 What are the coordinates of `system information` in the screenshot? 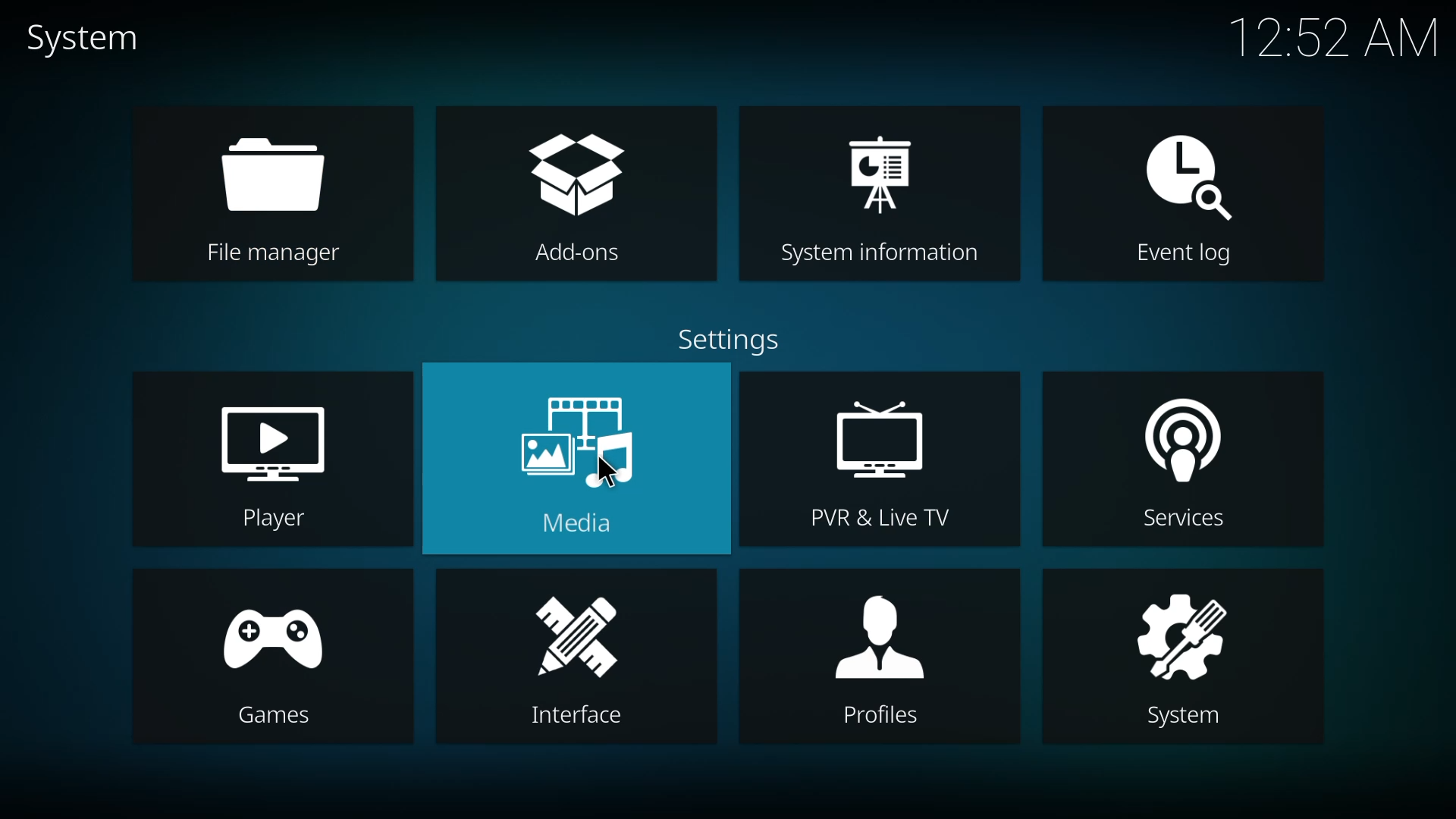 It's located at (884, 171).